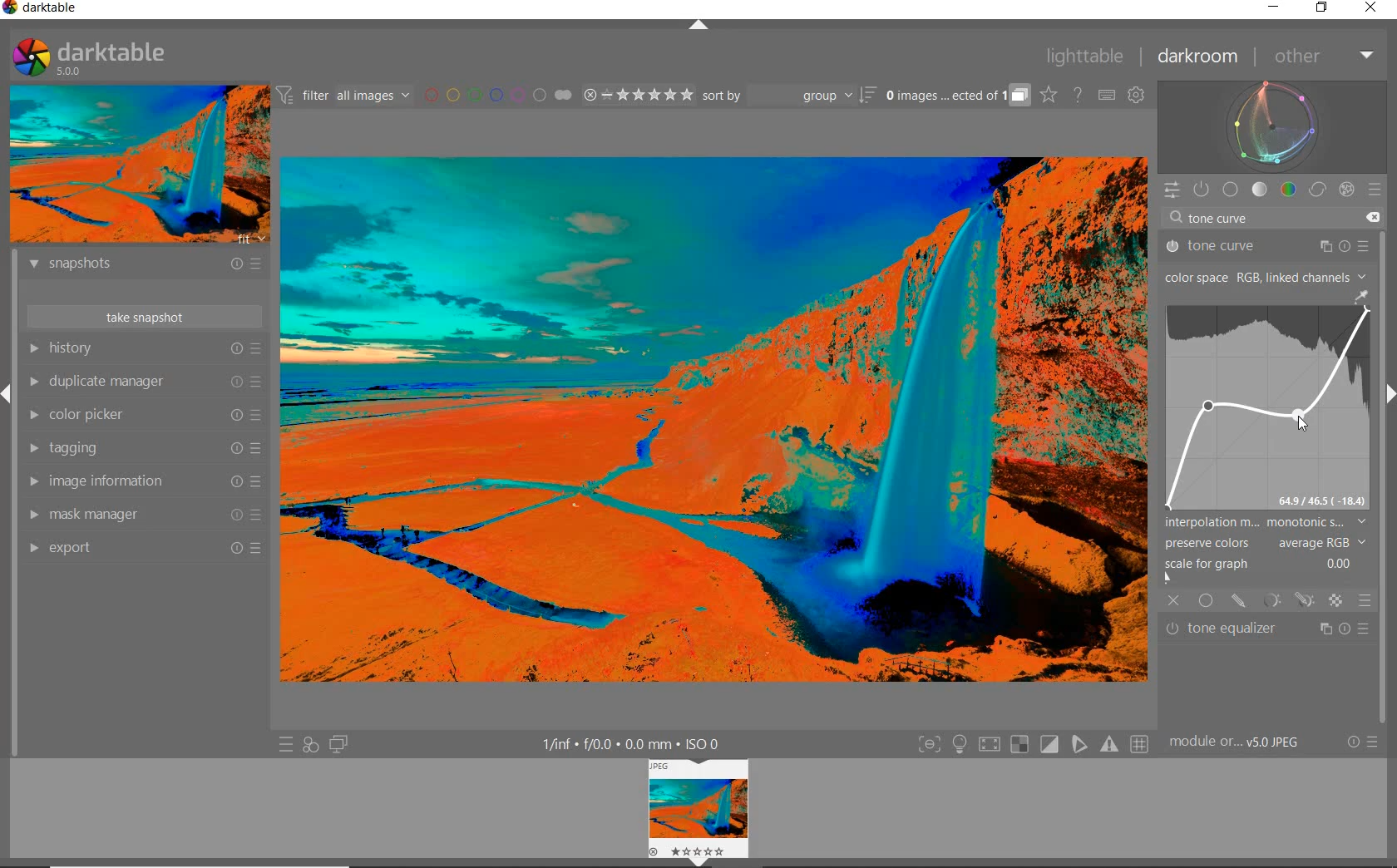 Image resolution: width=1397 pixels, height=868 pixels. I want to click on EXPAND/COLLAPSE, so click(700, 28).